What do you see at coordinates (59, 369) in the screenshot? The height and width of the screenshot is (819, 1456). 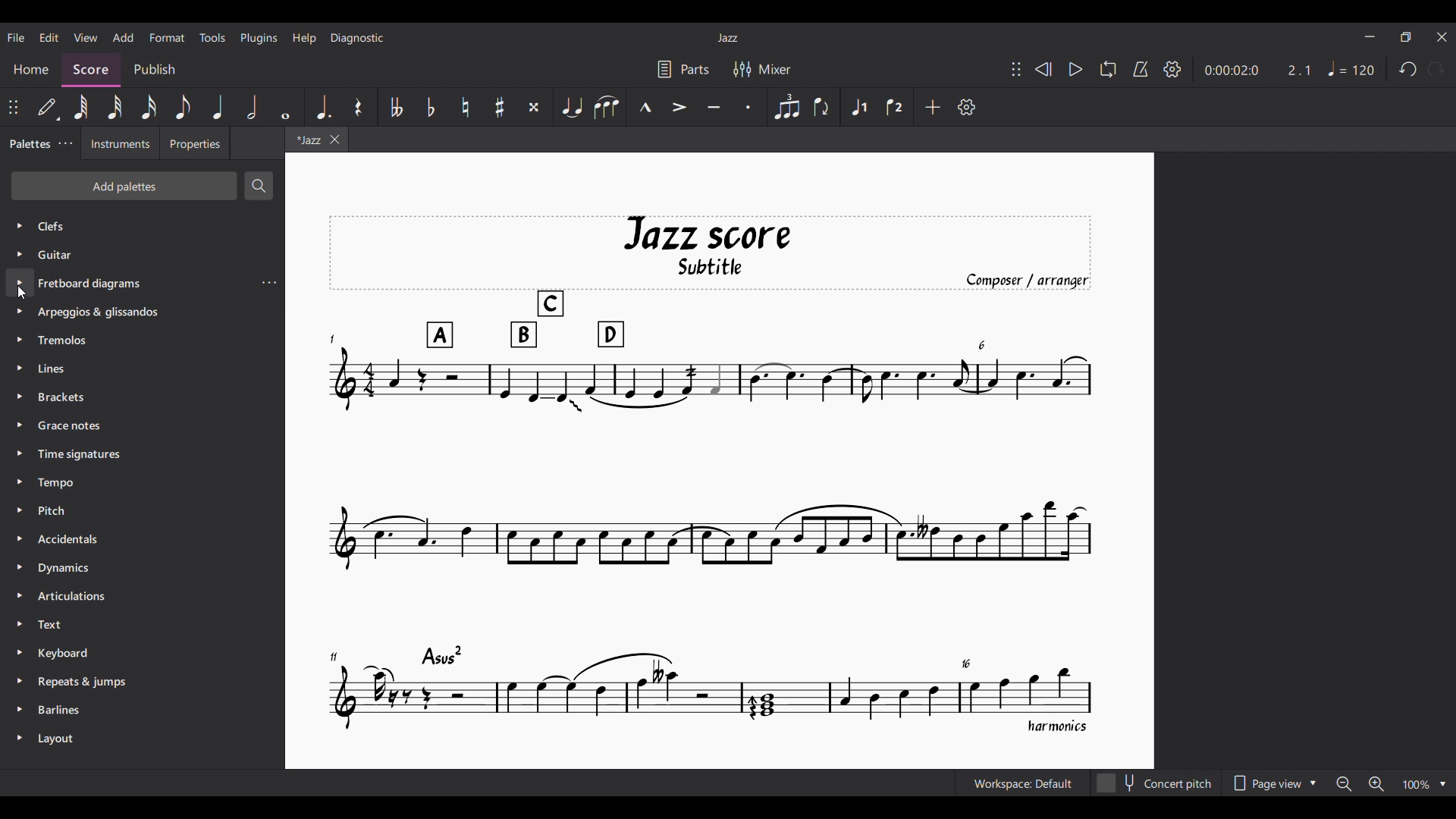 I see `Lines` at bounding box center [59, 369].